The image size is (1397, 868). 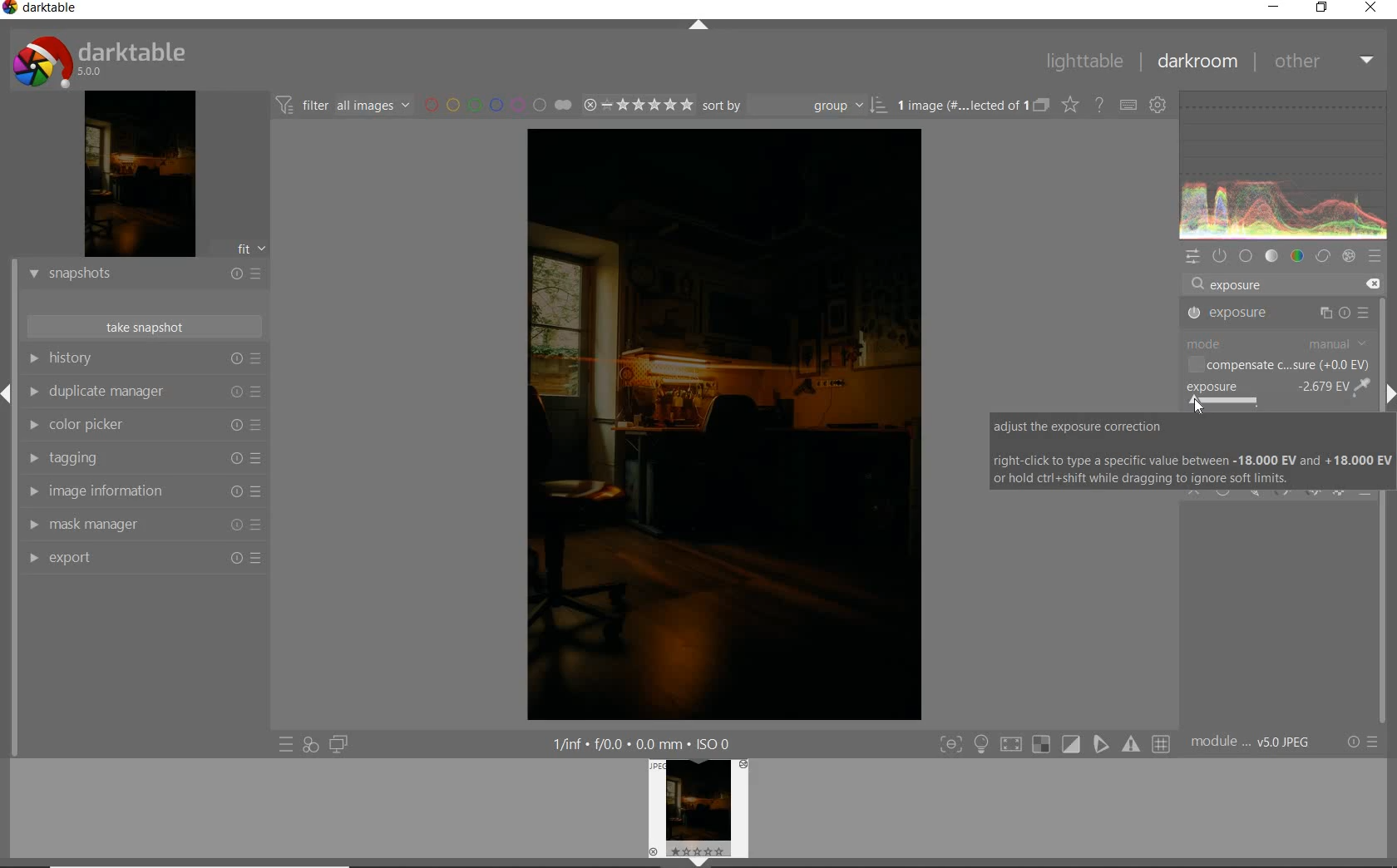 What do you see at coordinates (1159, 106) in the screenshot?
I see `show global preferences` at bounding box center [1159, 106].